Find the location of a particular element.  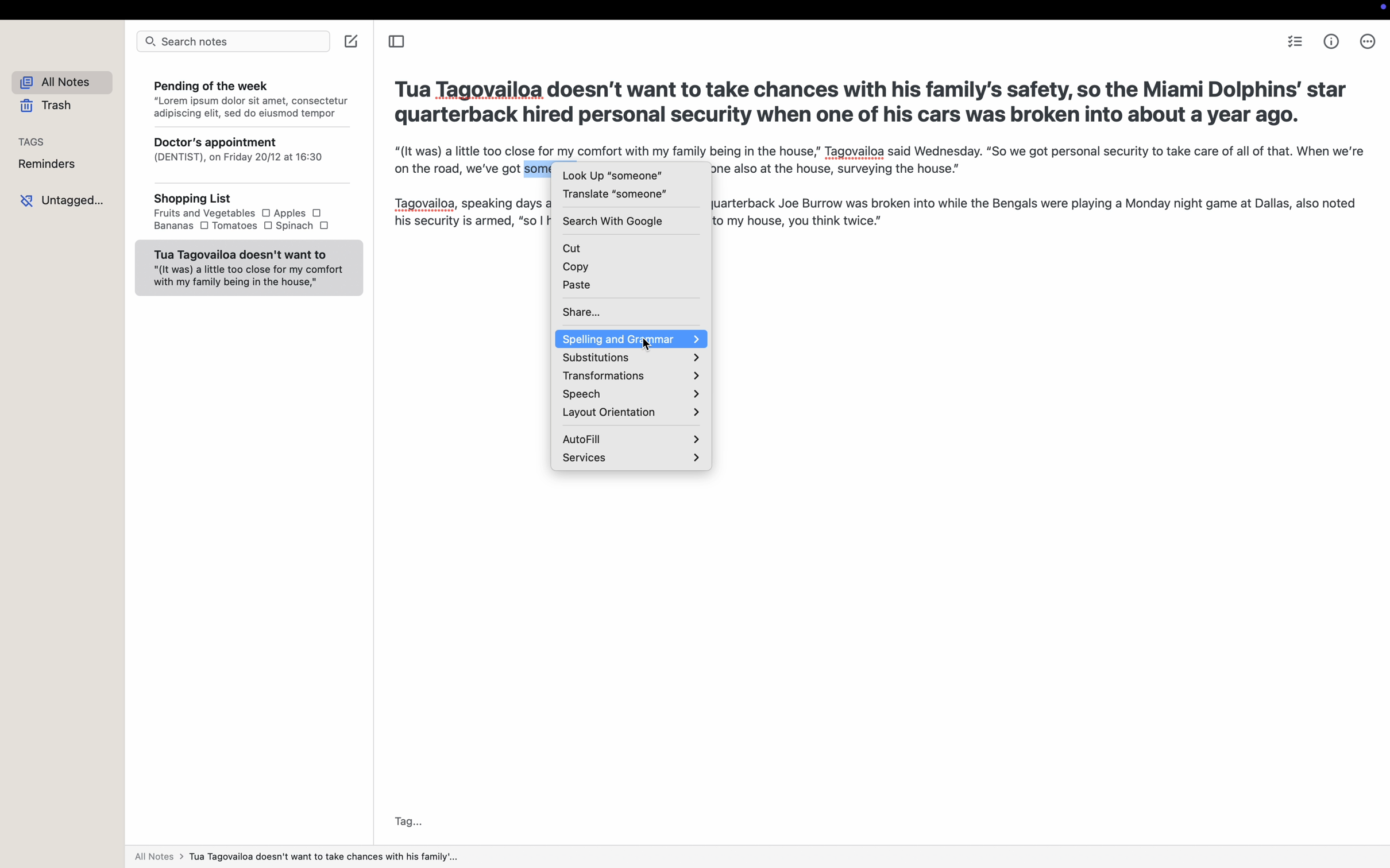

spelling and grammar is located at coordinates (631, 339).